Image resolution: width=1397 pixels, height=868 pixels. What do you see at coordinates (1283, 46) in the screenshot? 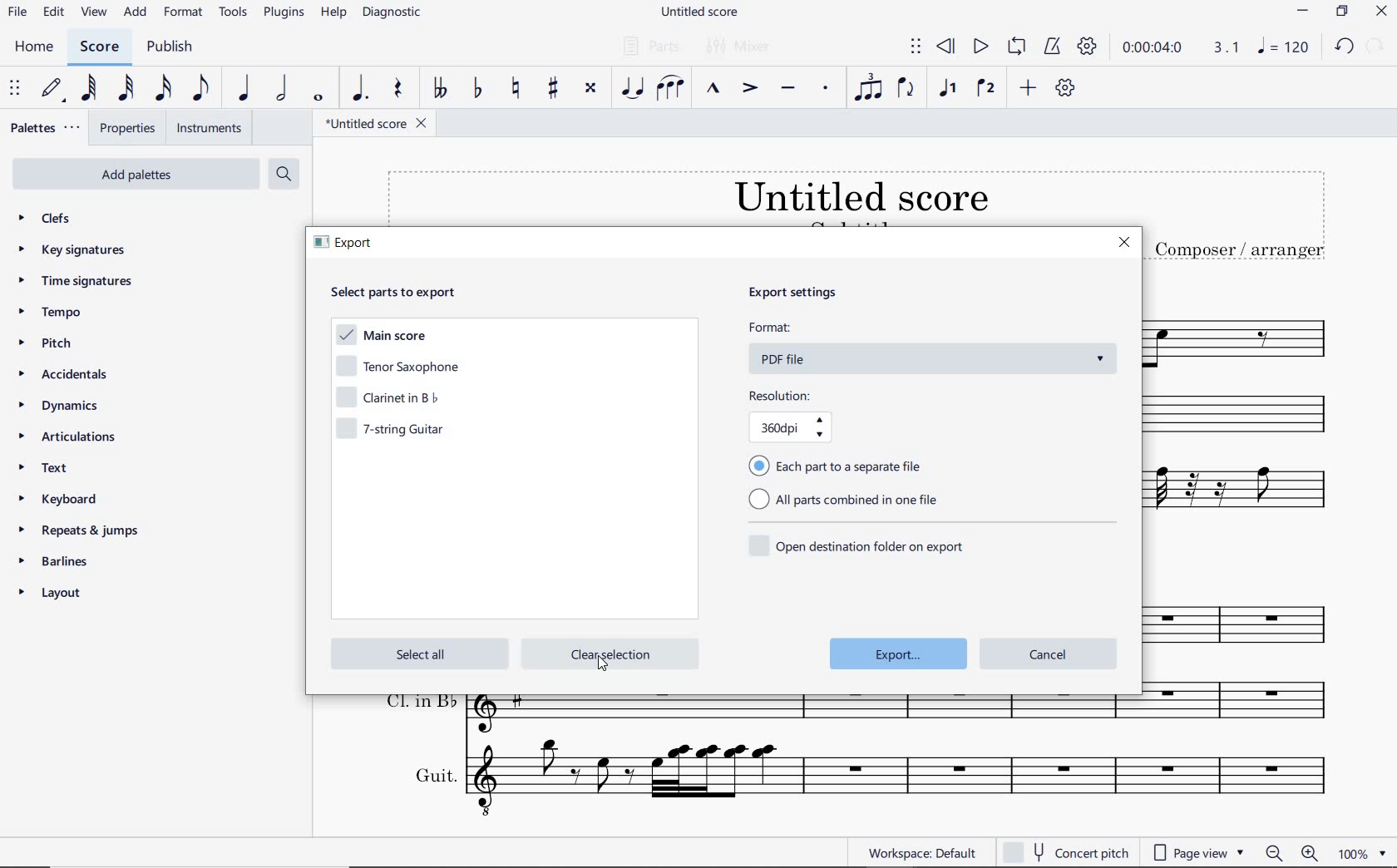
I see `NOTE` at bounding box center [1283, 46].